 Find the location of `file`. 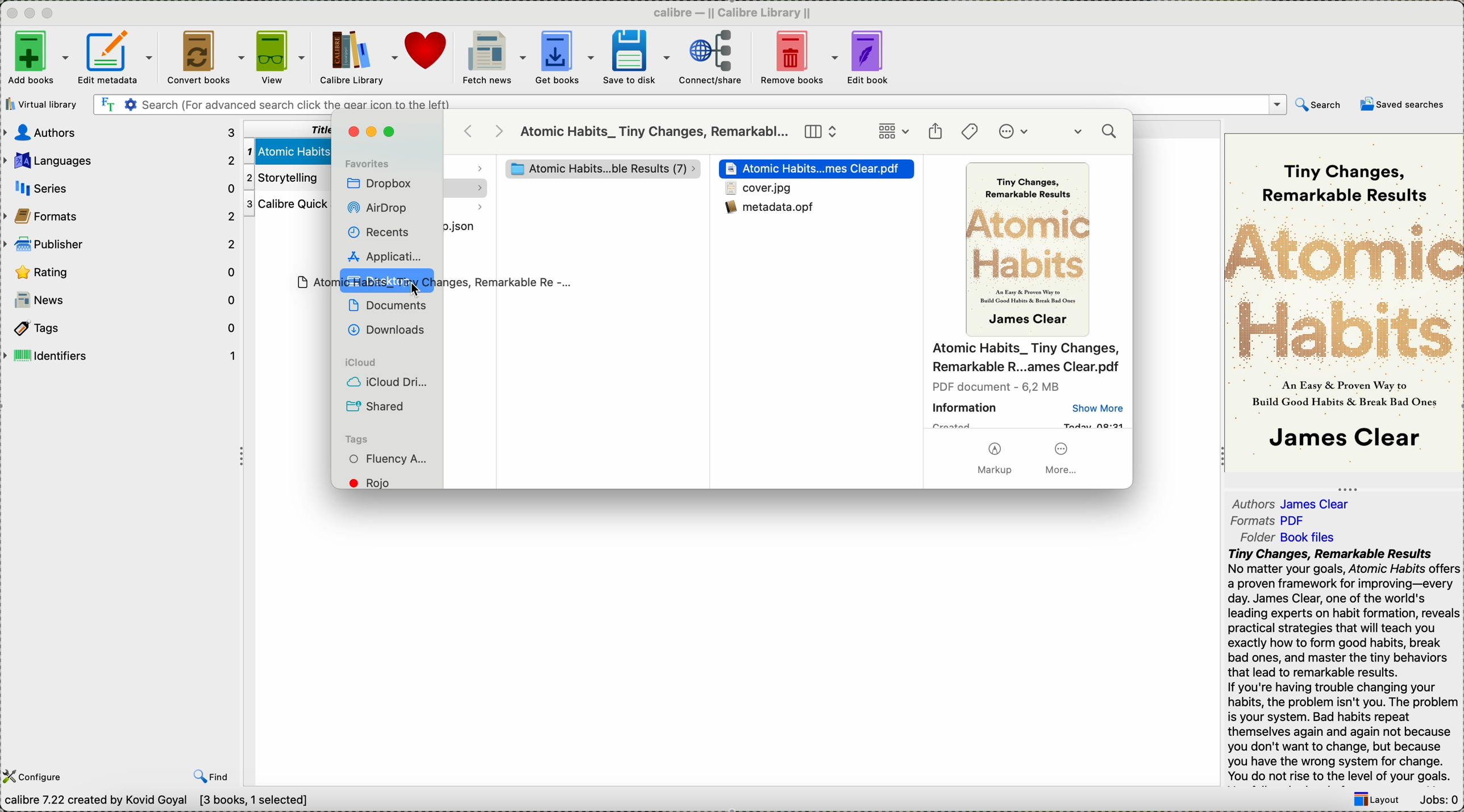

file is located at coordinates (467, 227).